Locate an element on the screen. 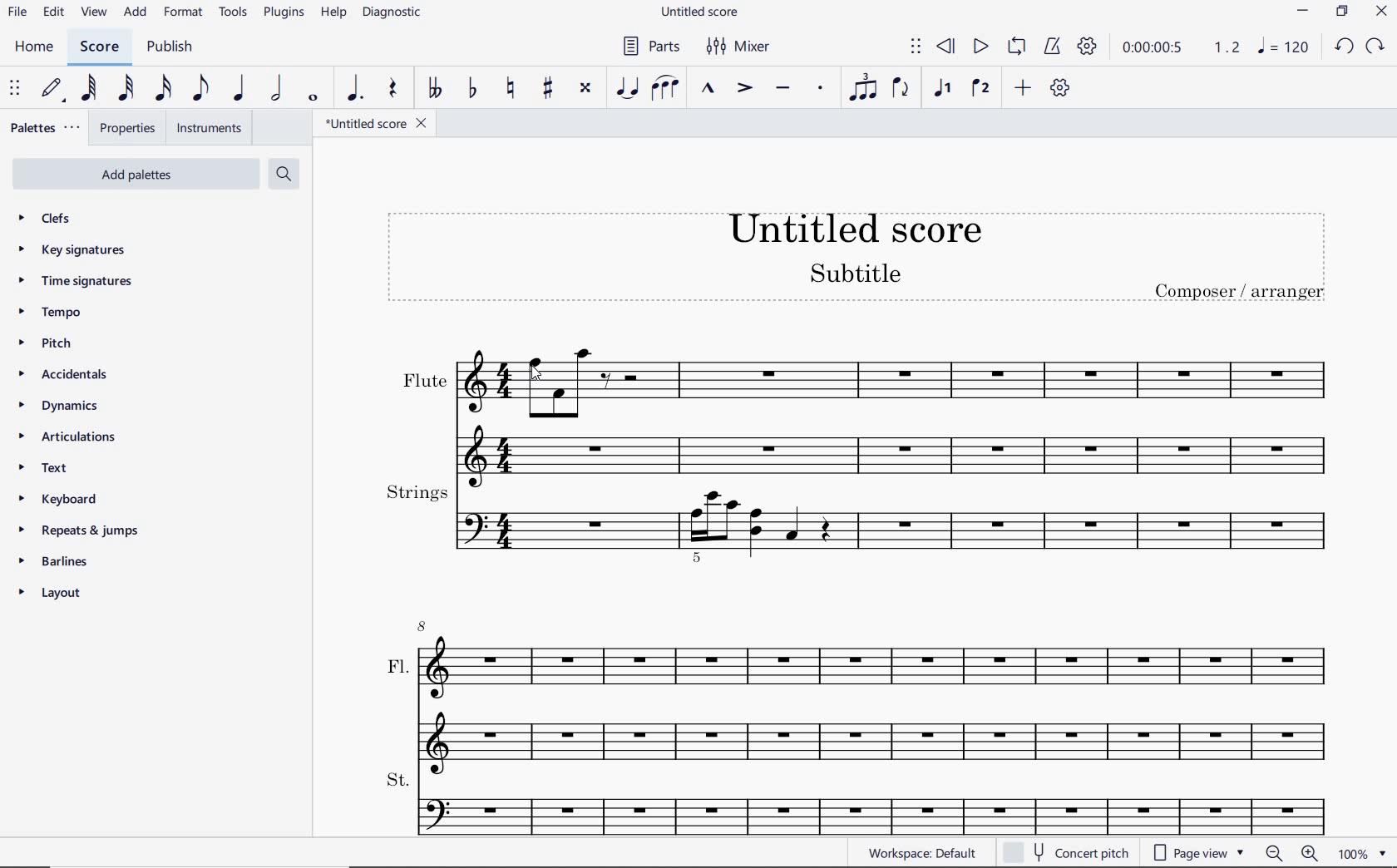 The height and width of the screenshot is (868, 1397). search palettes is located at coordinates (284, 173).